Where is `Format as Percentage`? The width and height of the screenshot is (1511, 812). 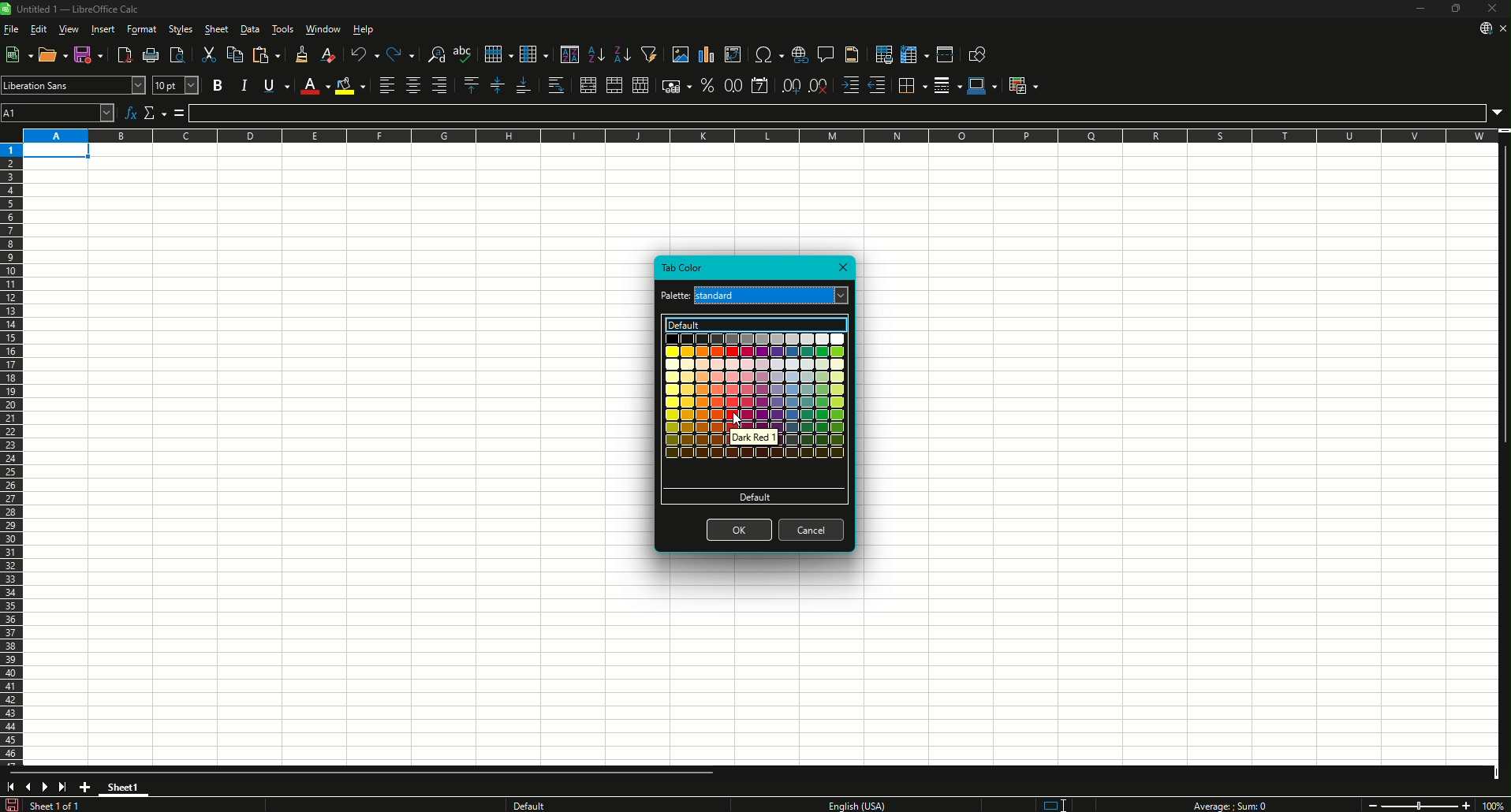
Format as Percentage is located at coordinates (707, 85).